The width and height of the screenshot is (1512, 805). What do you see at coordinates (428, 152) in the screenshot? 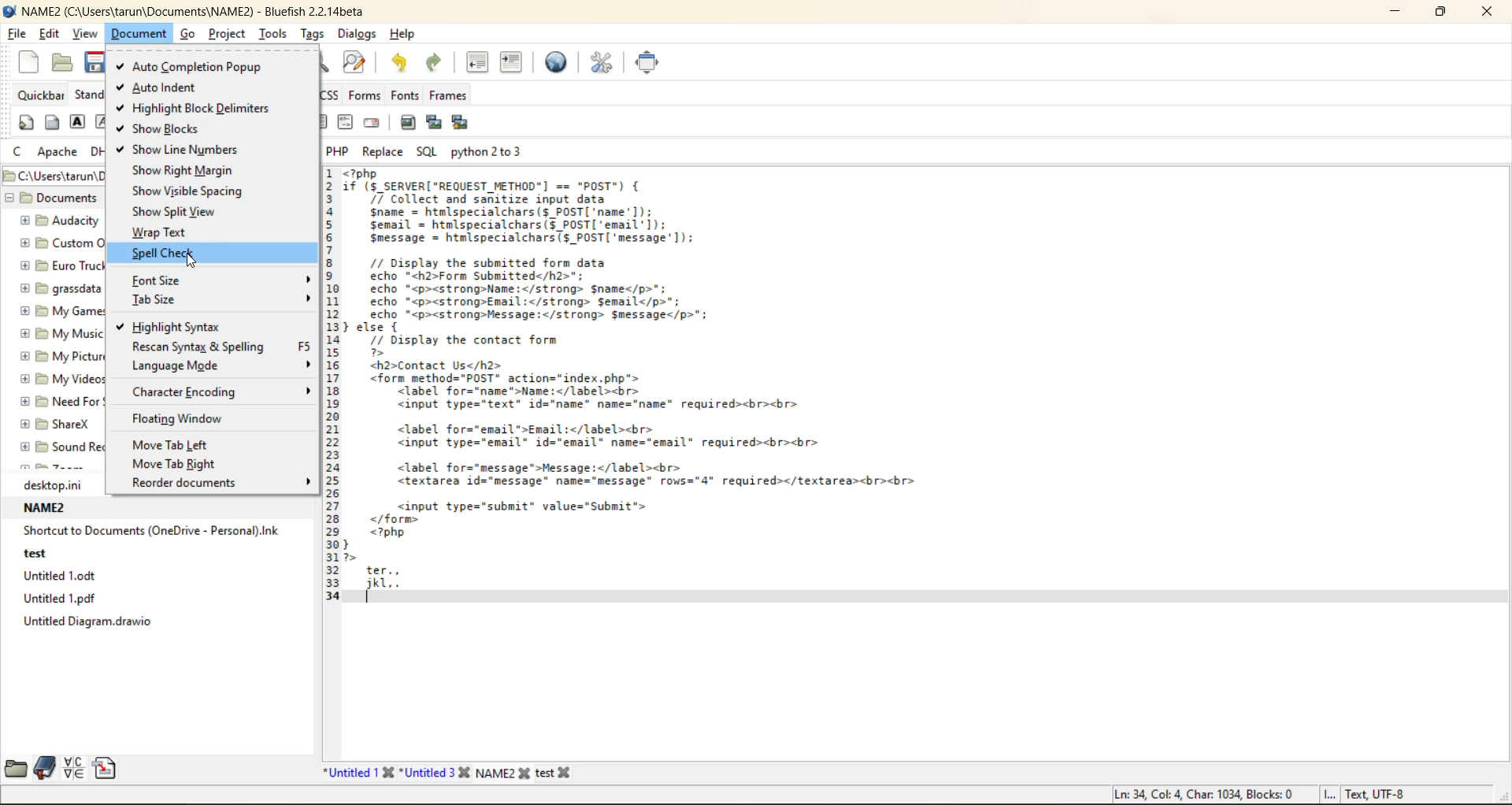
I see `sql` at bounding box center [428, 152].